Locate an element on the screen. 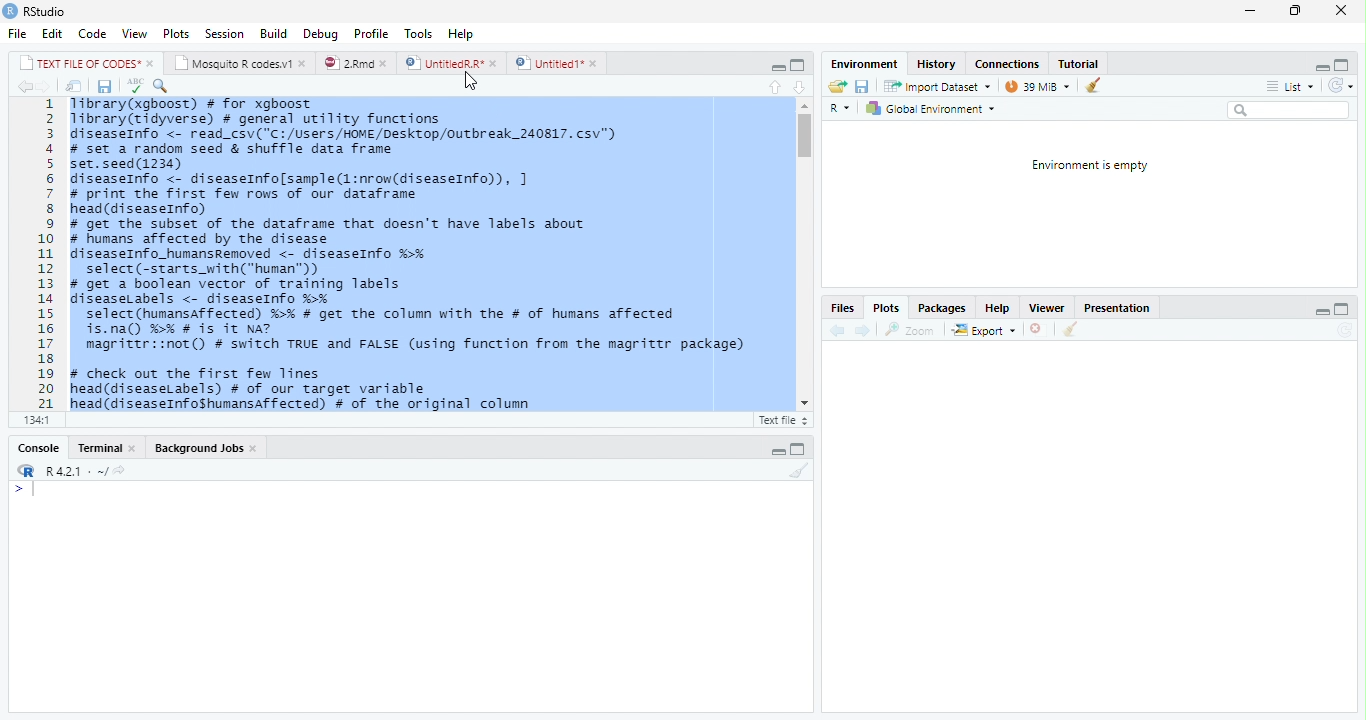 The image size is (1366, 720). 39MiB is located at coordinates (1037, 84).